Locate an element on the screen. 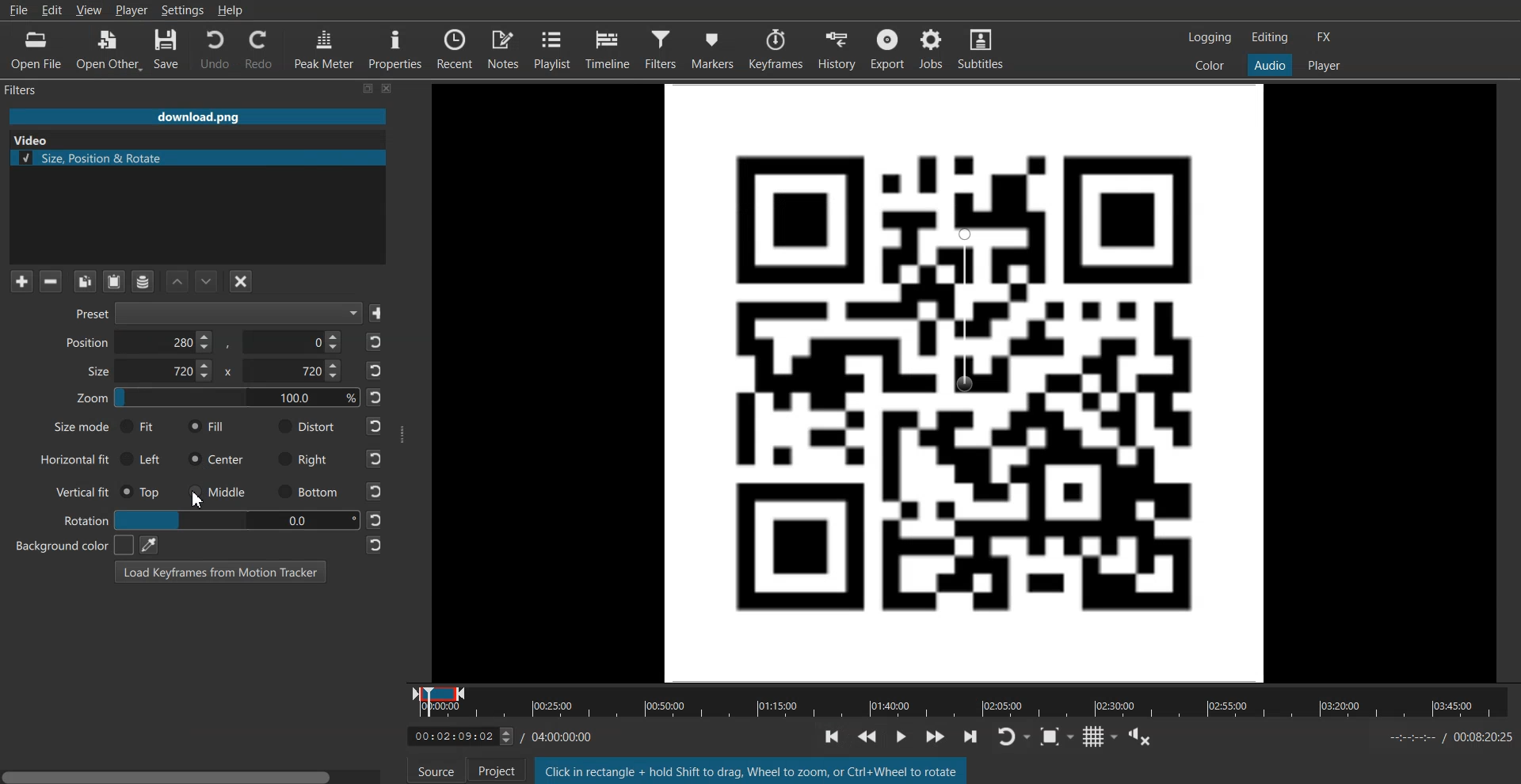 The height and width of the screenshot is (784, 1521). Toggle Zoom is located at coordinates (1059, 740).